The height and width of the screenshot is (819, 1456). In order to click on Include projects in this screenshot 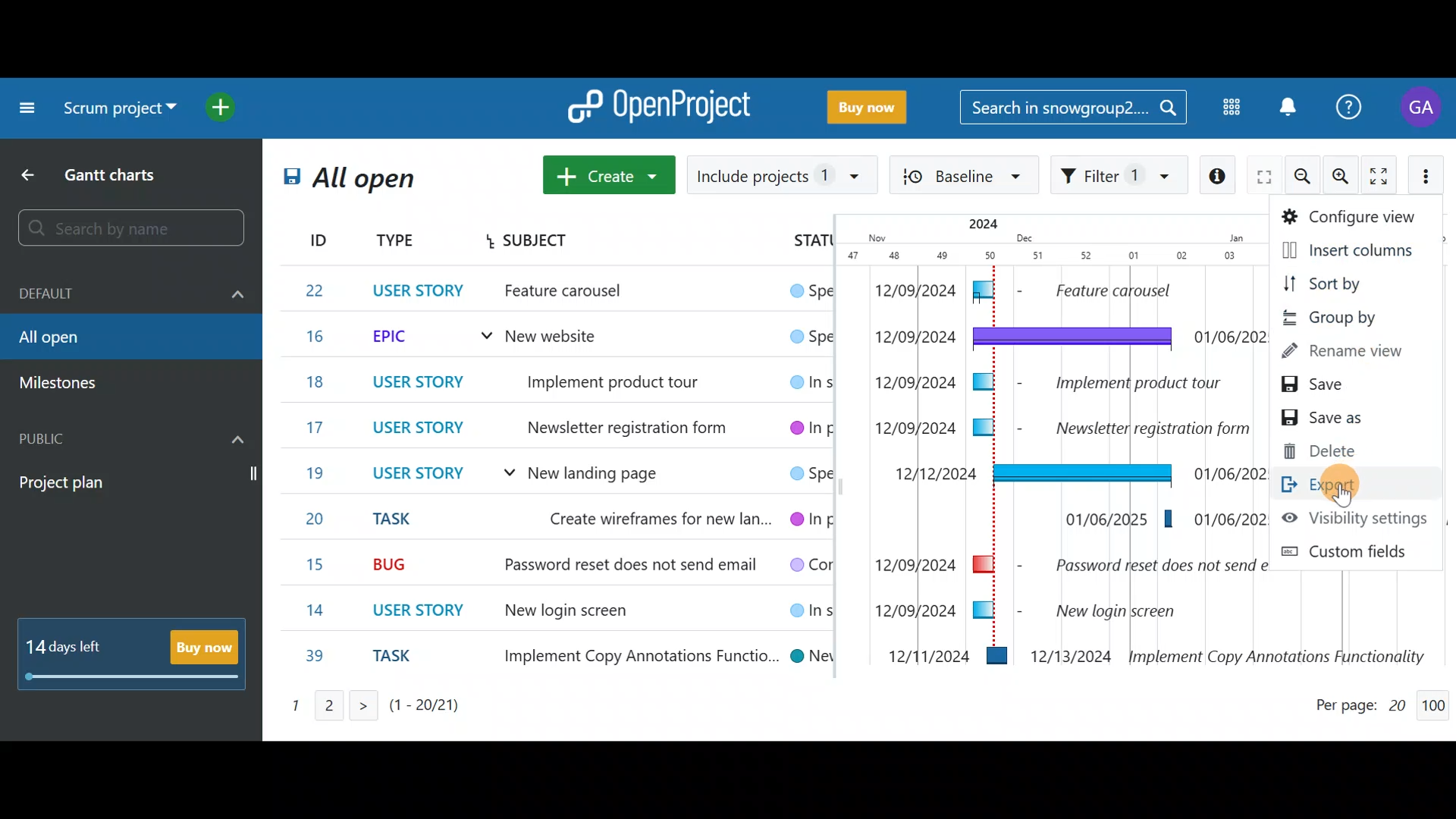, I will do `click(783, 173)`.